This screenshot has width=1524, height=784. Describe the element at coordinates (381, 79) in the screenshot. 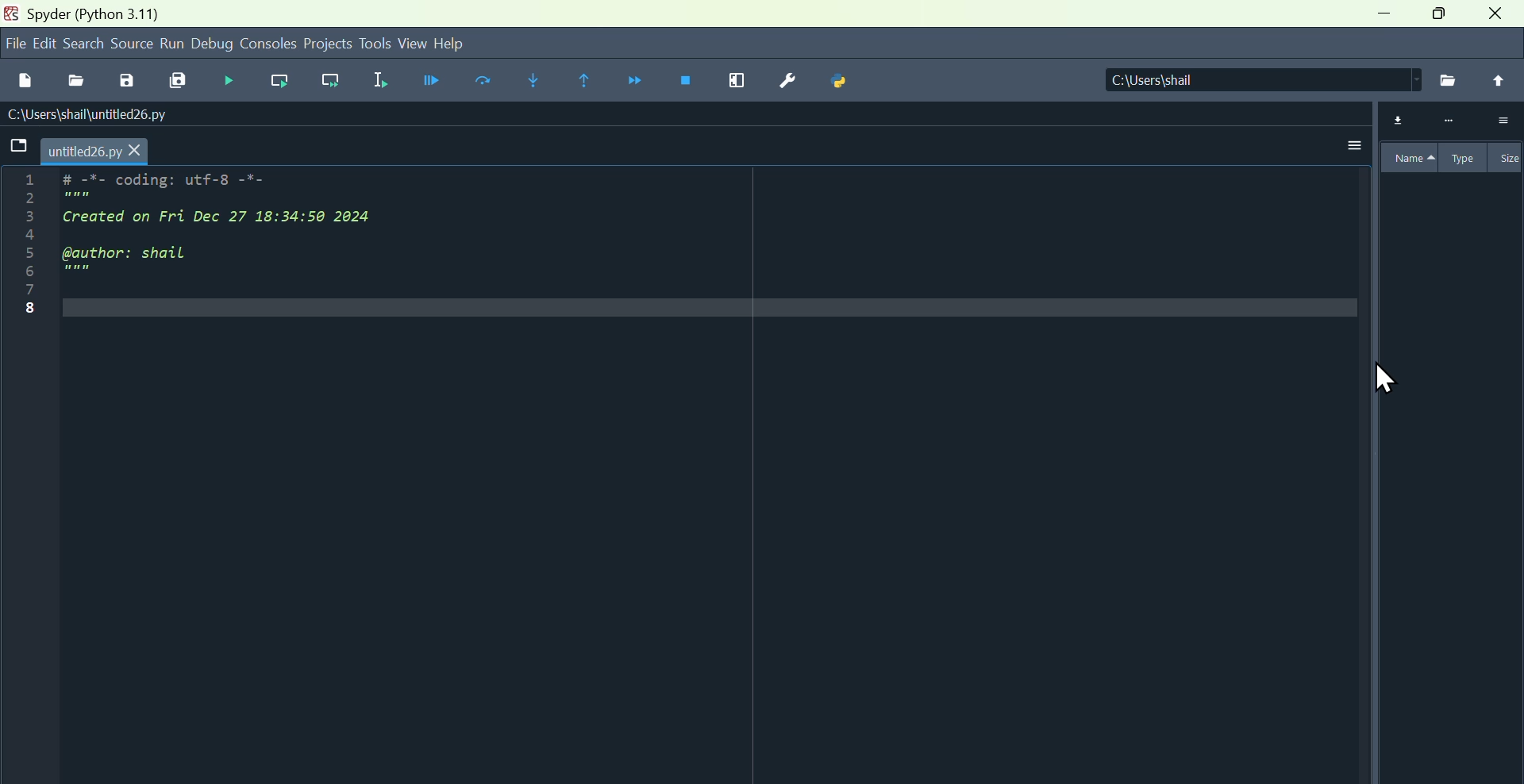

I see `Run selection` at that location.